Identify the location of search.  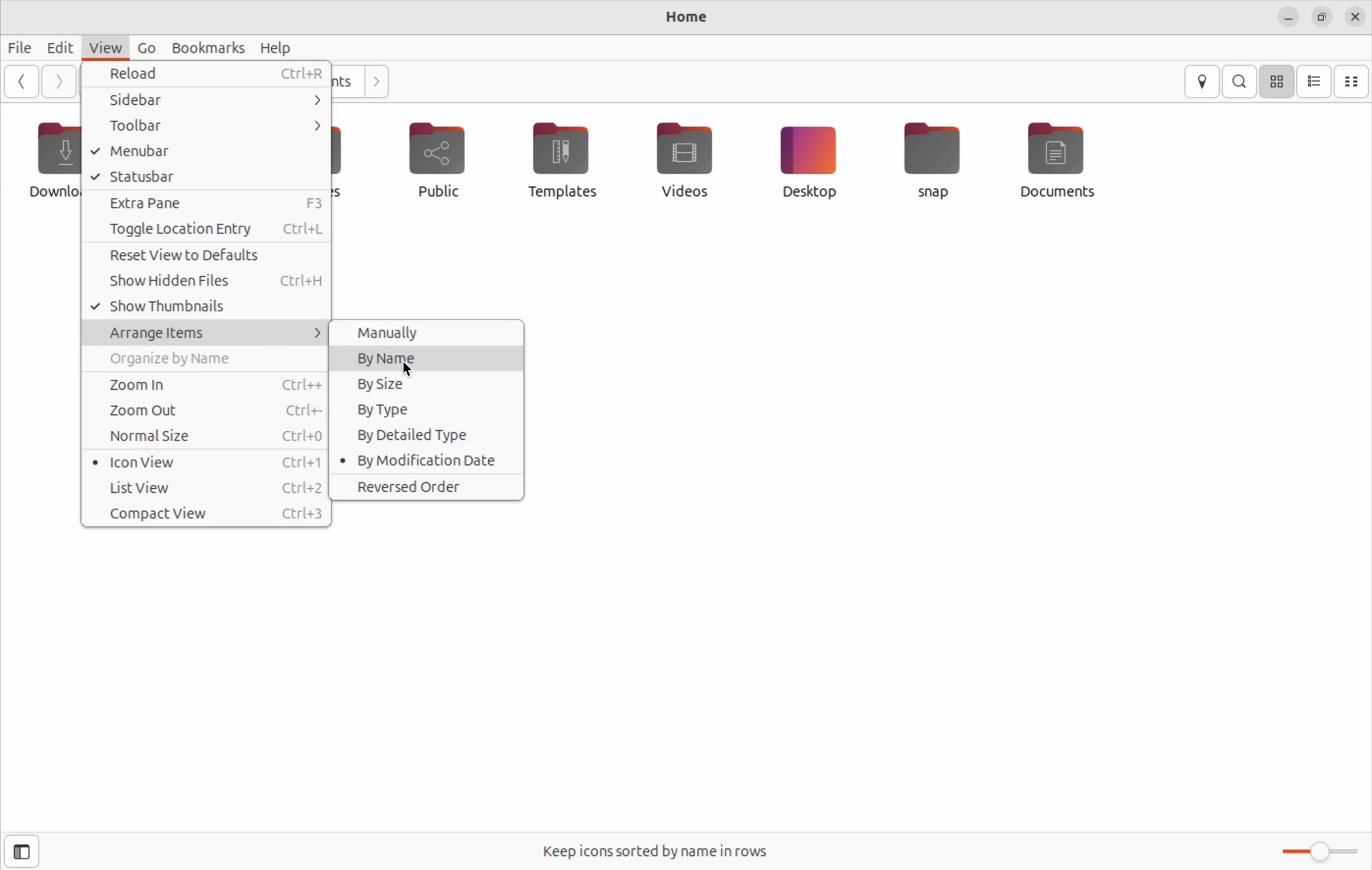
(1242, 81).